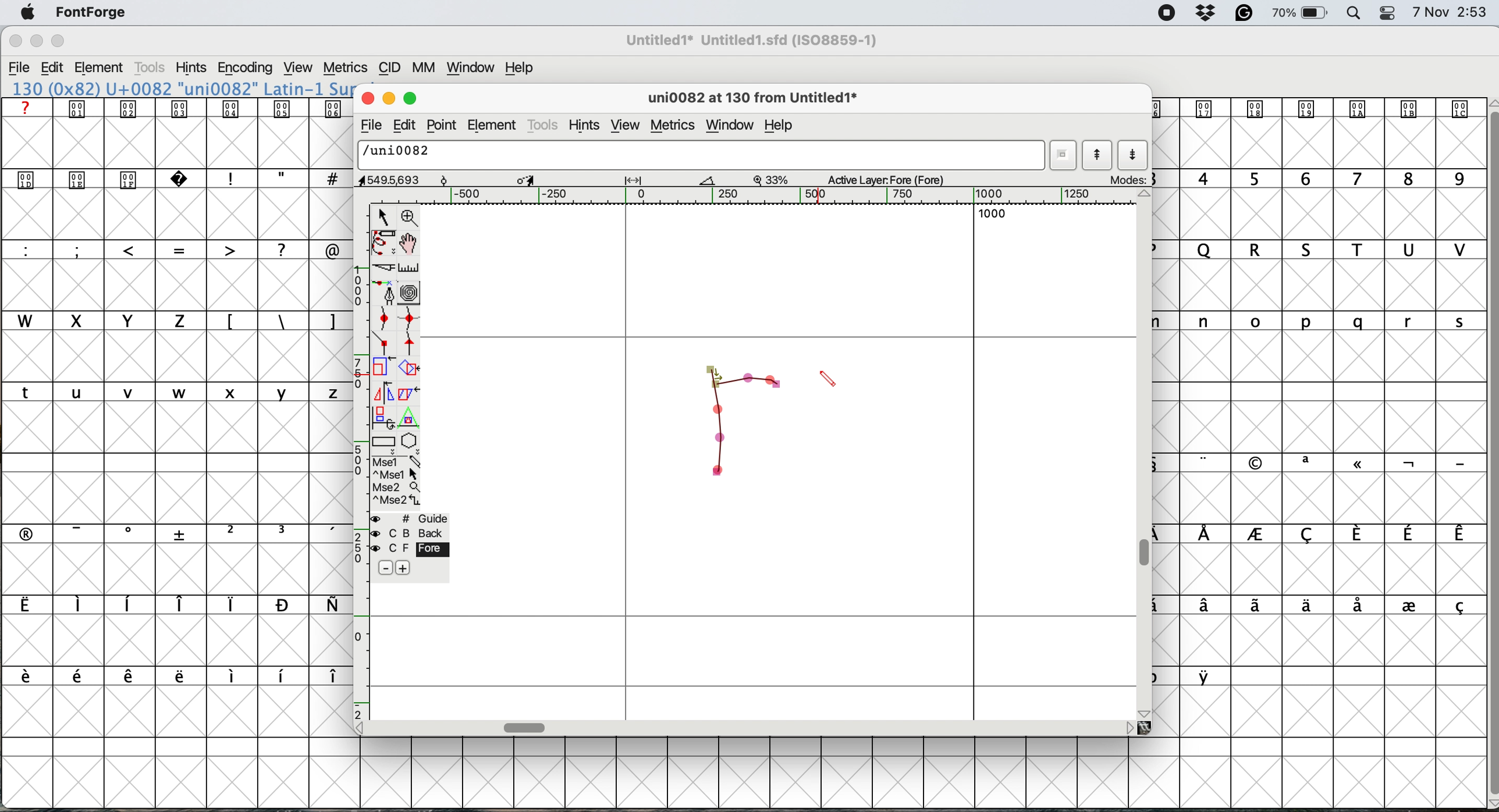  Describe the element at coordinates (626, 126) in the screenshot. I see `view` at that location.